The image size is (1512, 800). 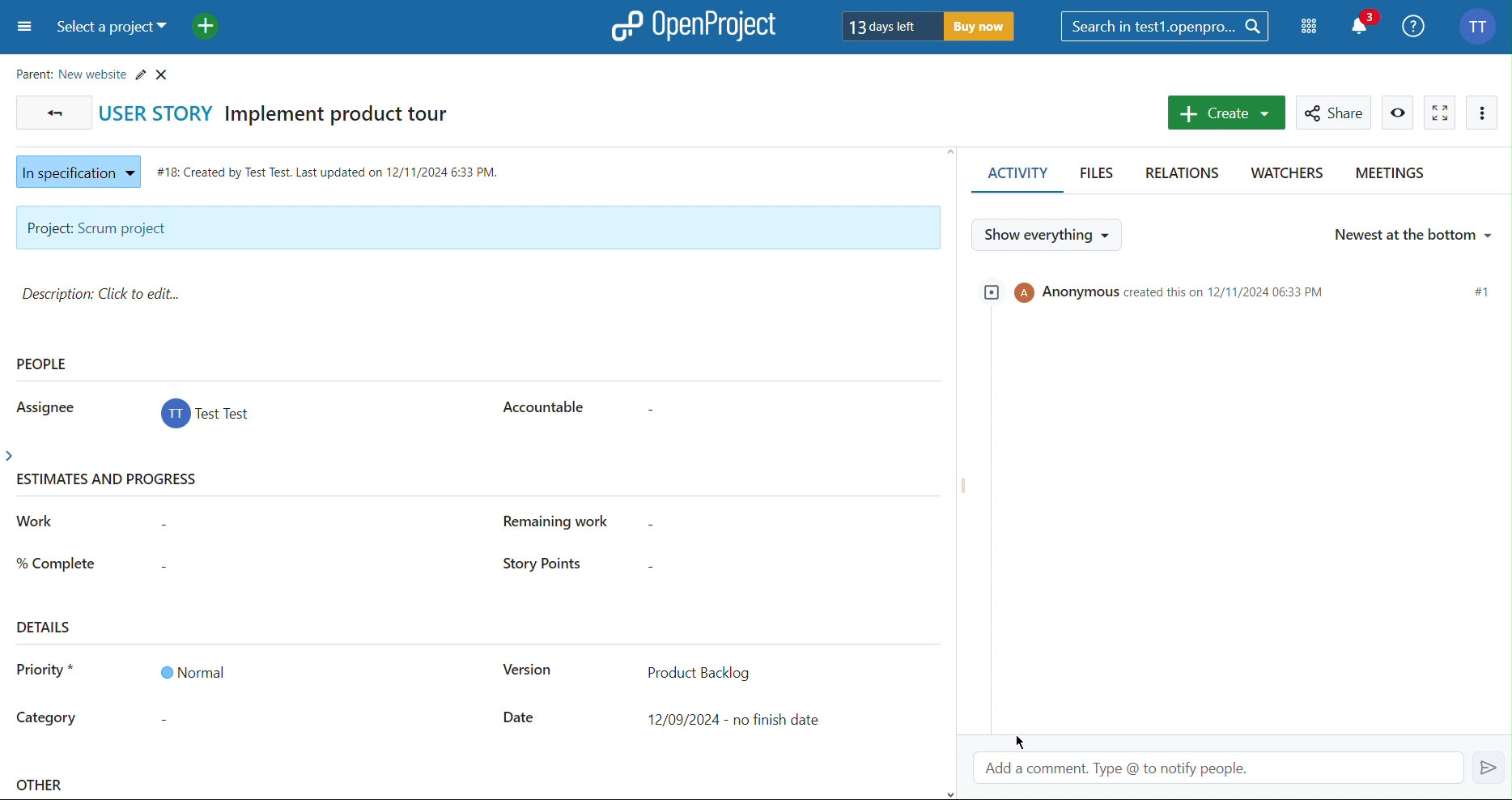 I want to click on Cursor, so click(x=1027, y=741).